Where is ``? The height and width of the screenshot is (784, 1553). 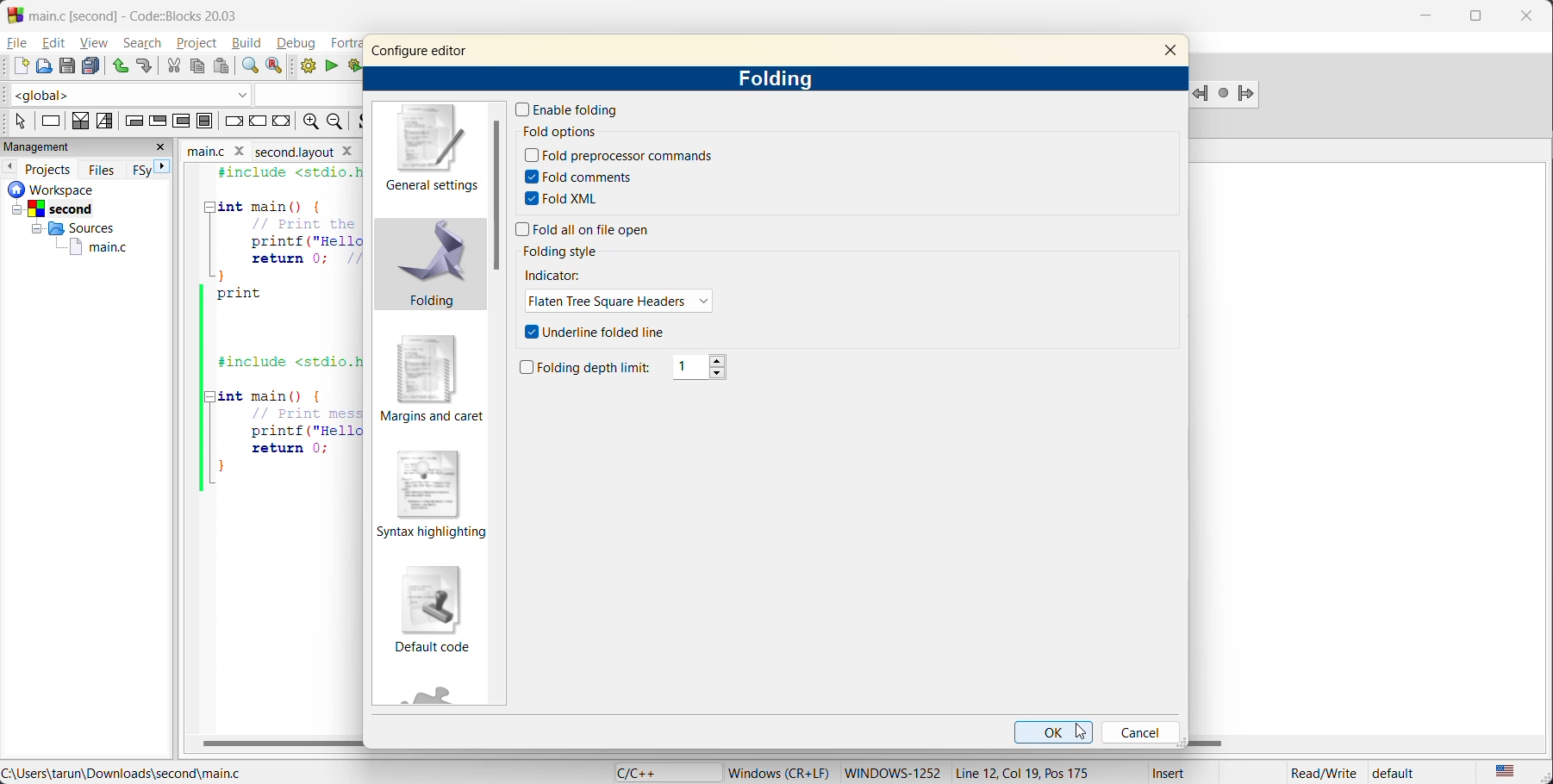
 is located at coordinates (70, 227).